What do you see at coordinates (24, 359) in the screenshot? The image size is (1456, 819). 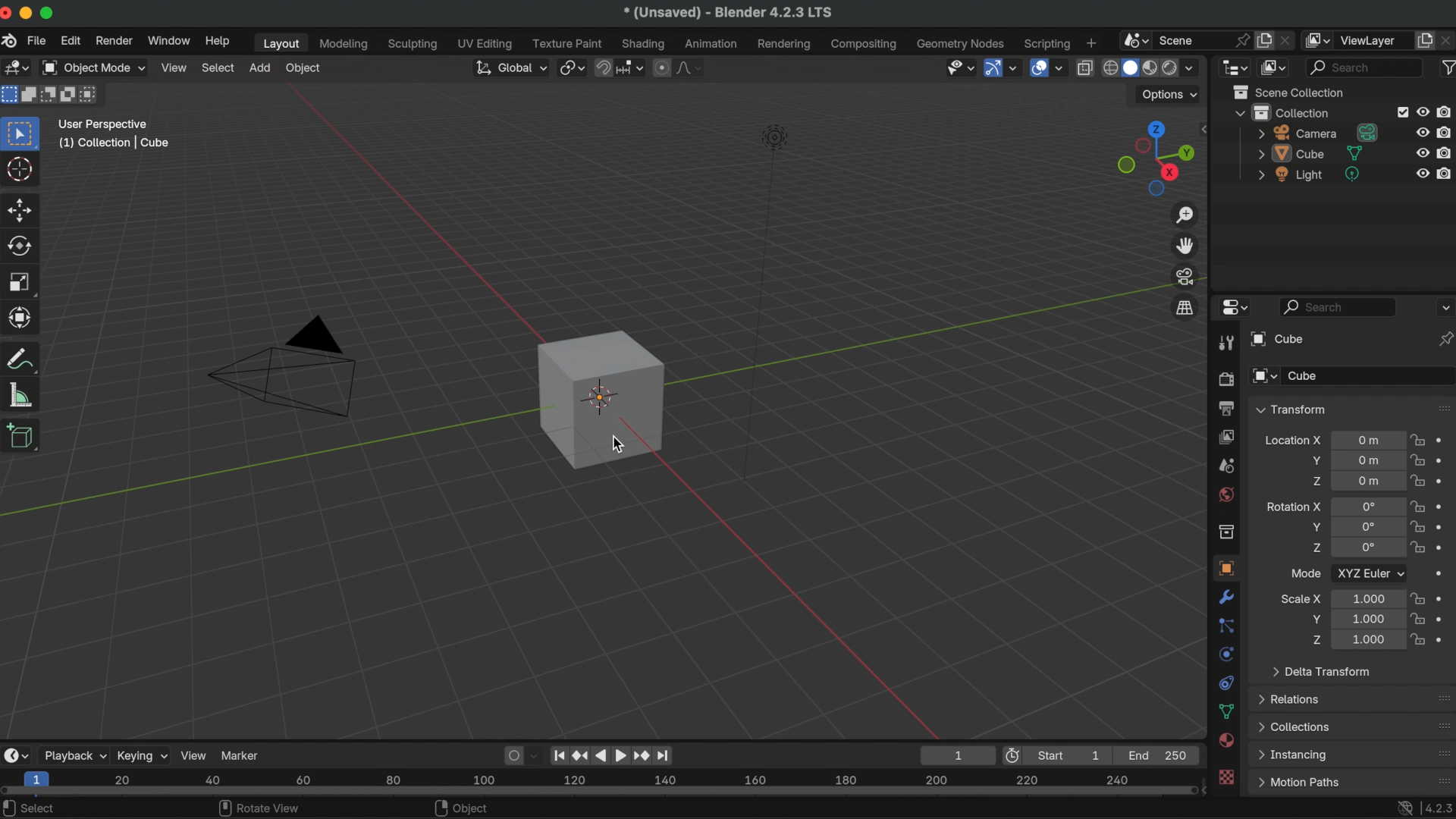 I see `transform` at bounding box center [24, 359].